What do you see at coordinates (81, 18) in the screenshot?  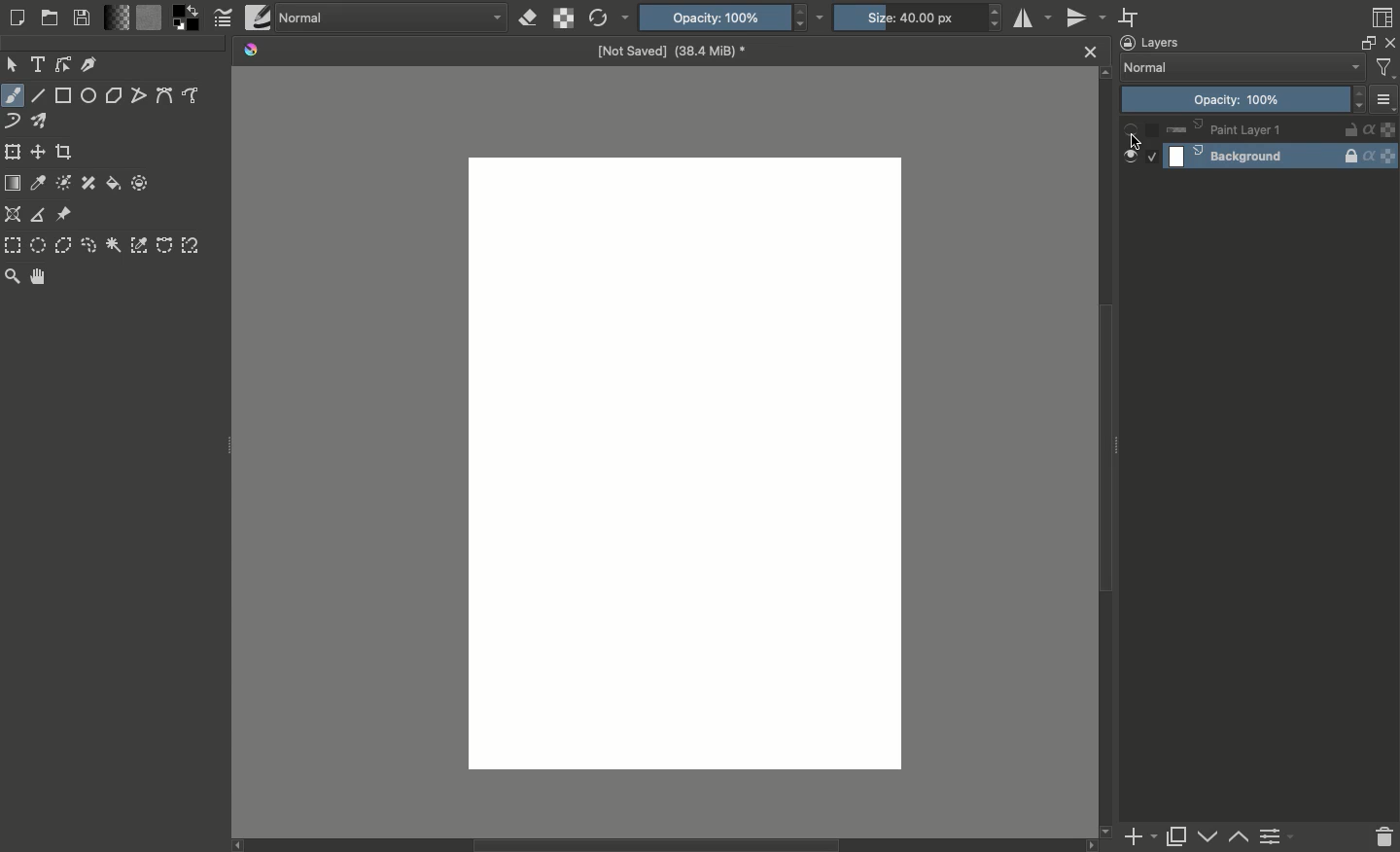 I see `Save` at bounding box center [81, 18].